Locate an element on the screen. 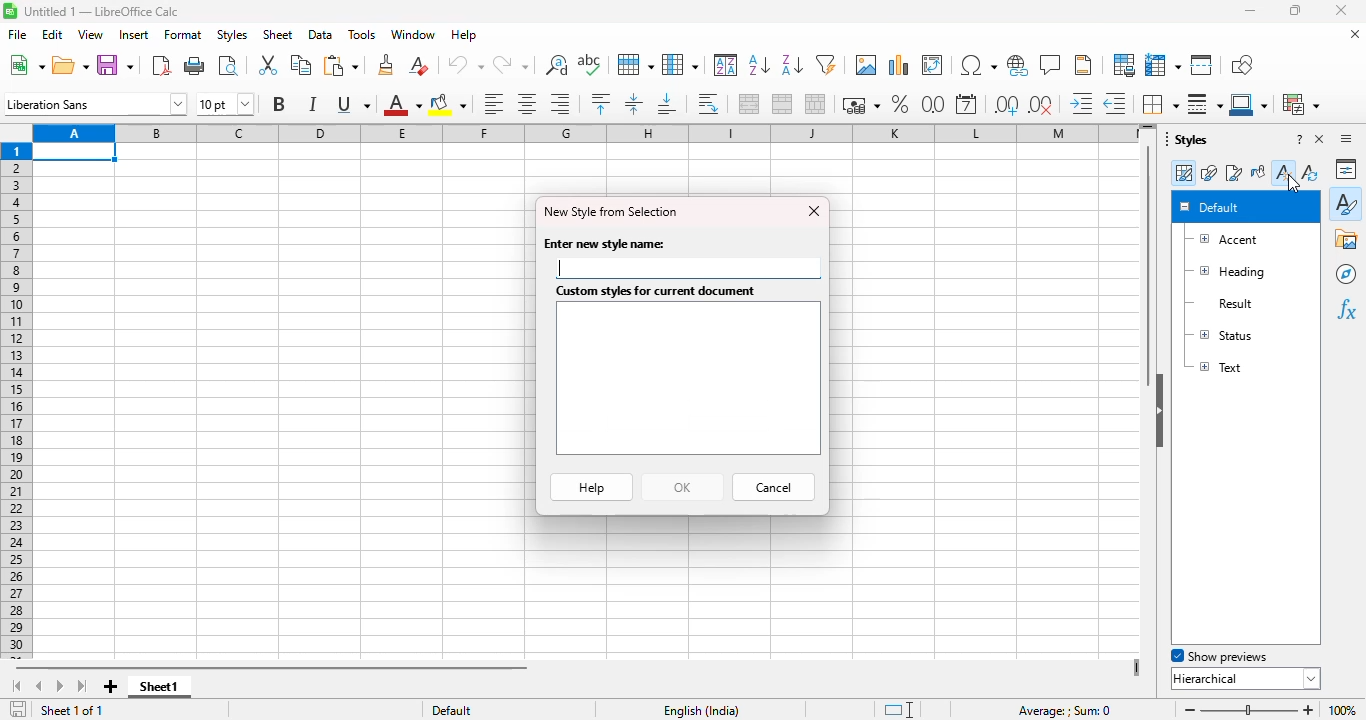 This screenshot has height=720, width=1366. insert special characters is located at coordinates (978, 65).